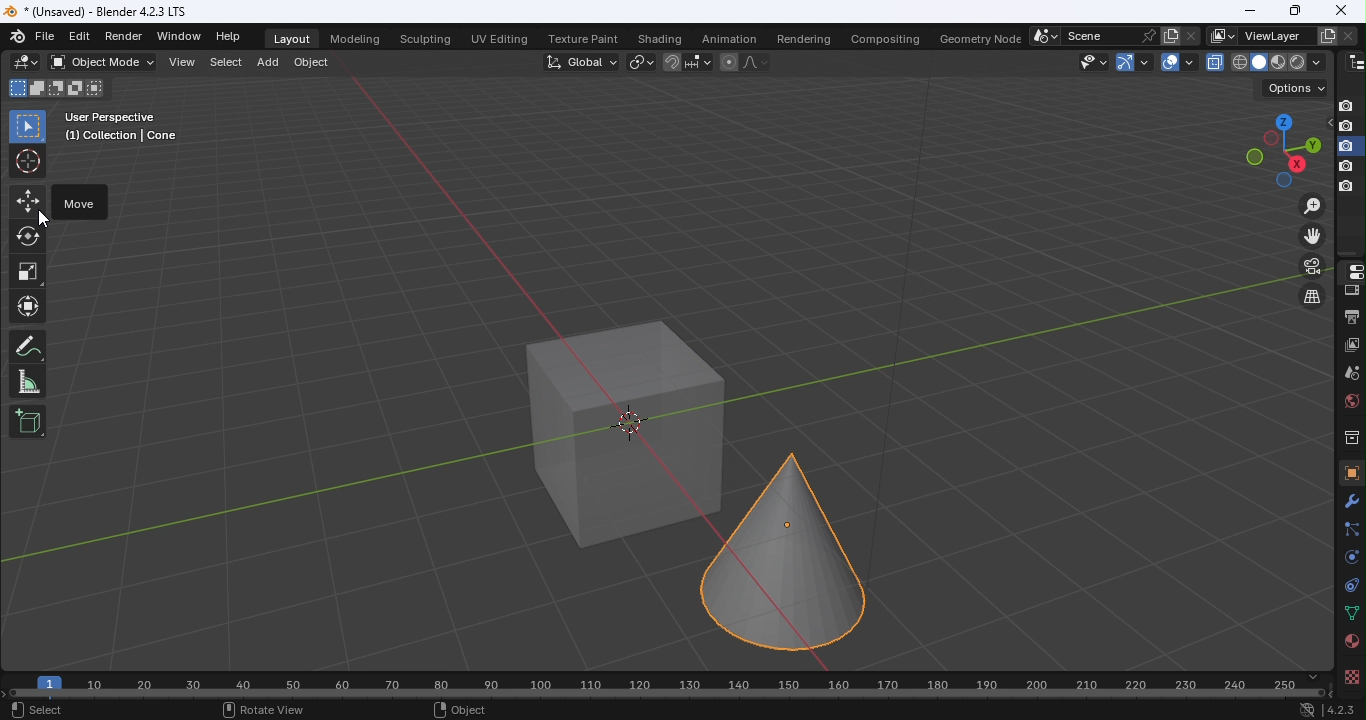 The width and height of the screenshot is (1366, 720). Describe the element at coordinates (1147, 35) in the screenshot. I see `Pin scene to workspace` at that location.